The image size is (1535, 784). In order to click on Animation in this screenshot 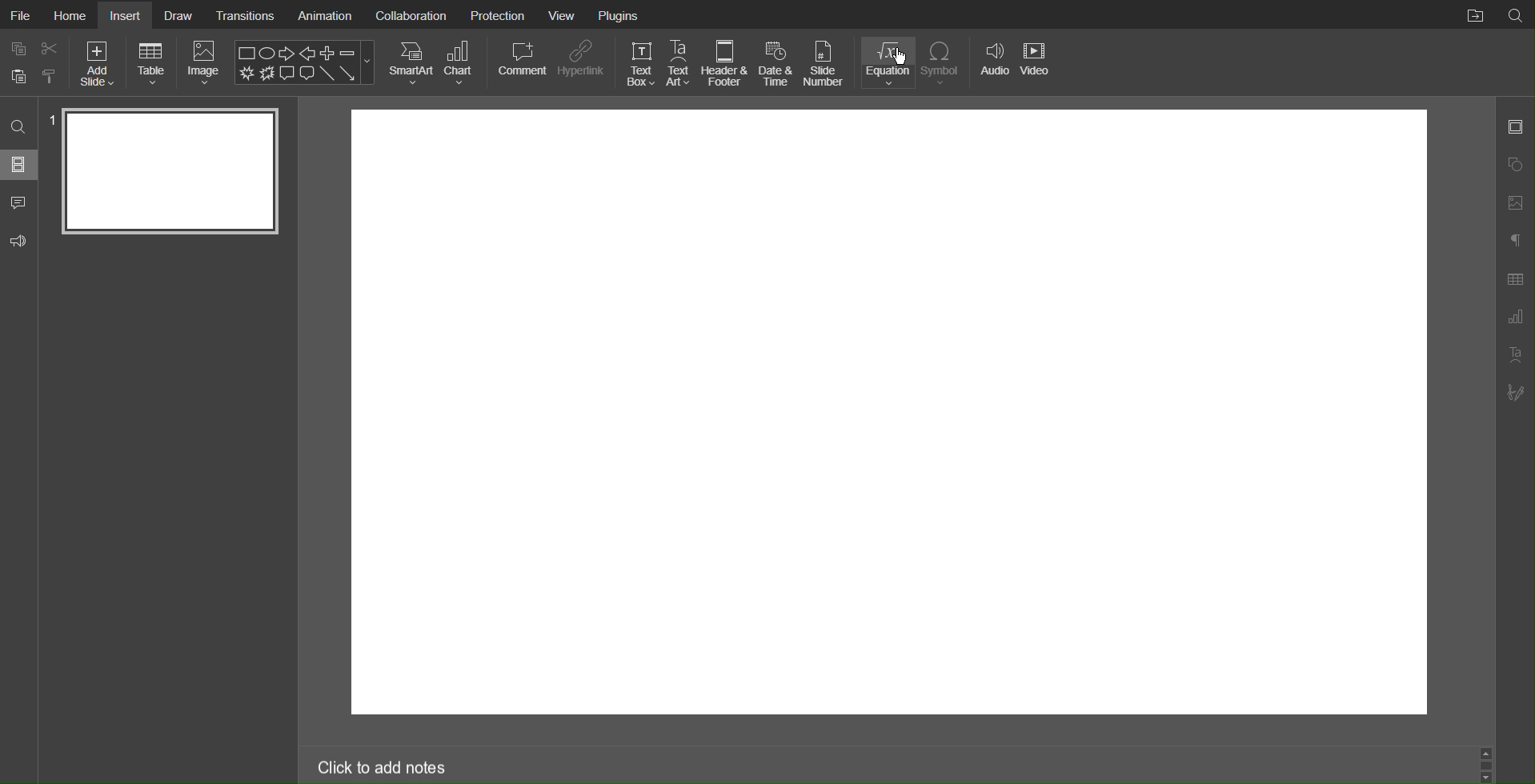, I will do `click(324, 14)`.